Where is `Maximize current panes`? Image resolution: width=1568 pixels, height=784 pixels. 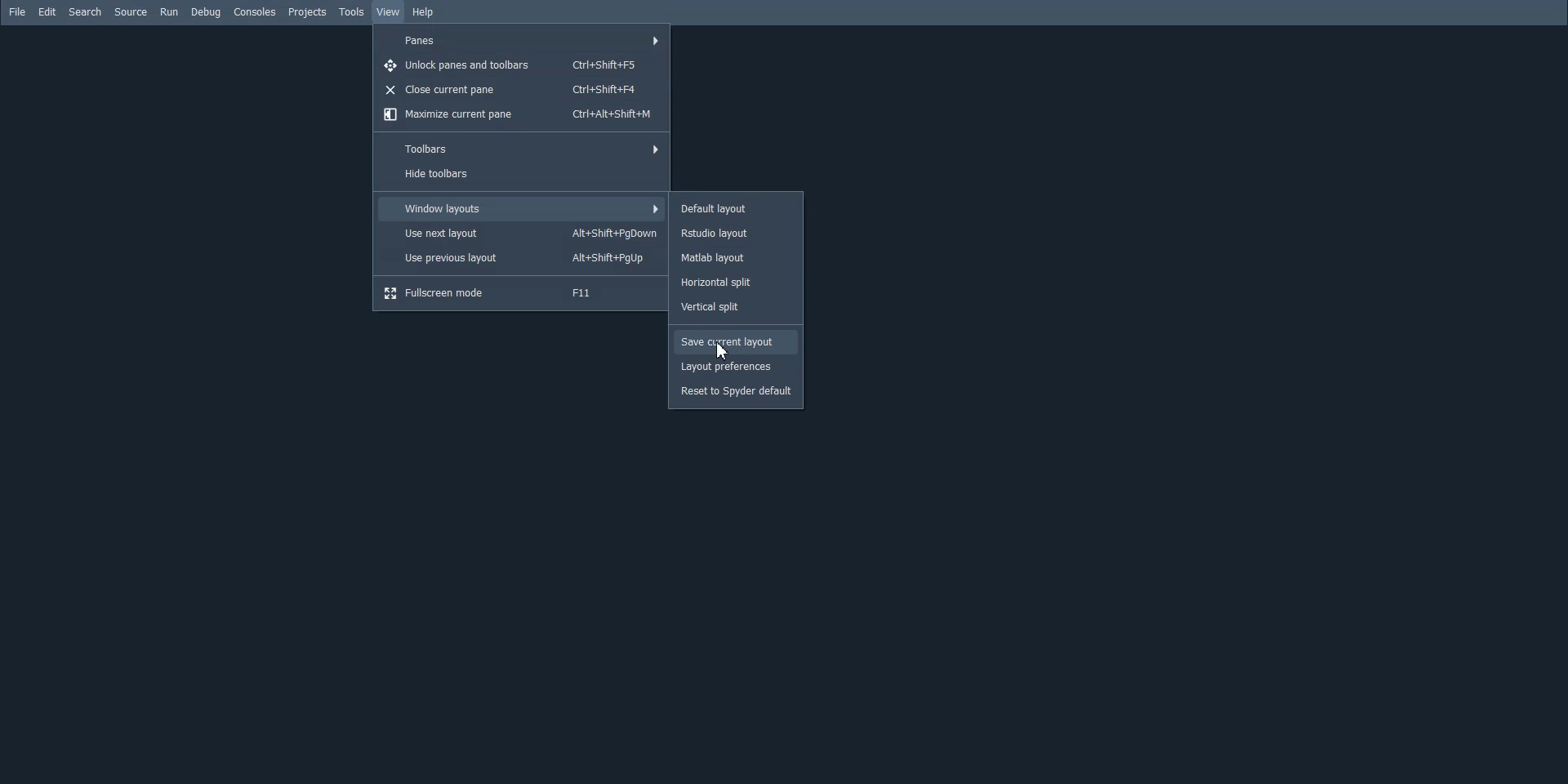 Maximize current panes is located at coordinates (519, 114).